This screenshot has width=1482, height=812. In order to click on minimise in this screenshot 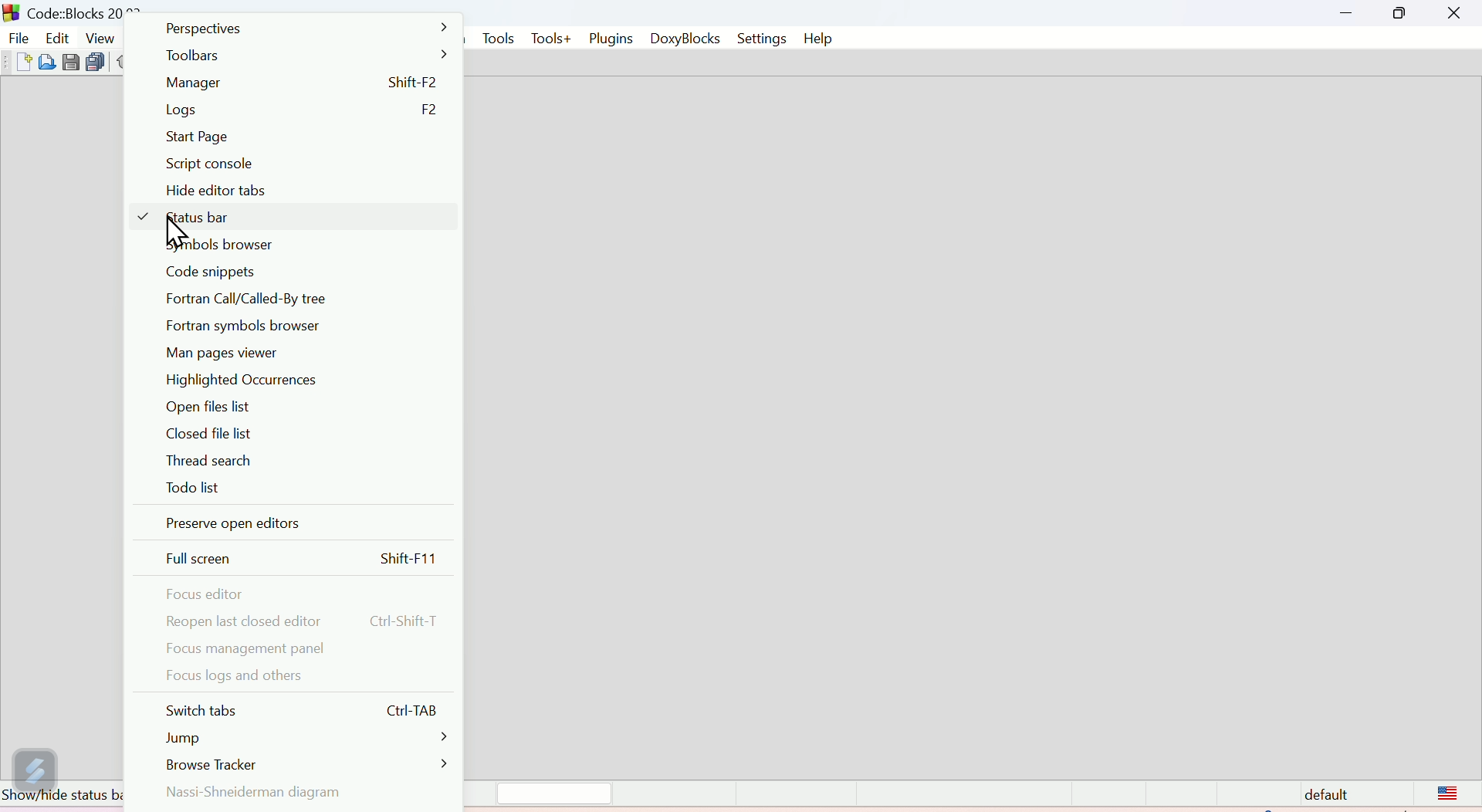, I will do `click(1348, 13)`.